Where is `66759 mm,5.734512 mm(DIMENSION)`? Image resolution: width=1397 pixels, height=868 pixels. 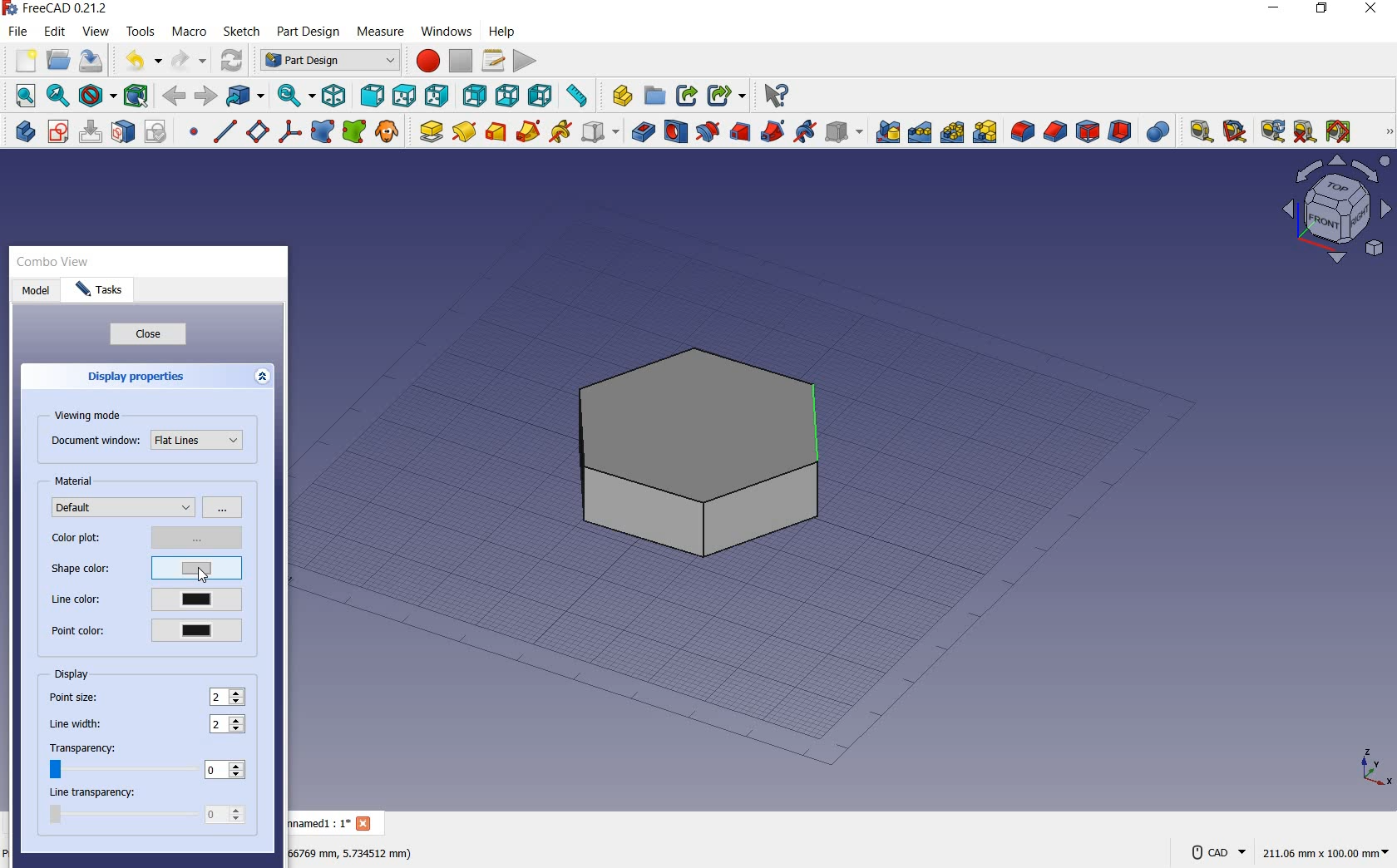 66759 mm,5.734512 mm(DIMENSION) is located at coordinates (351, 852).